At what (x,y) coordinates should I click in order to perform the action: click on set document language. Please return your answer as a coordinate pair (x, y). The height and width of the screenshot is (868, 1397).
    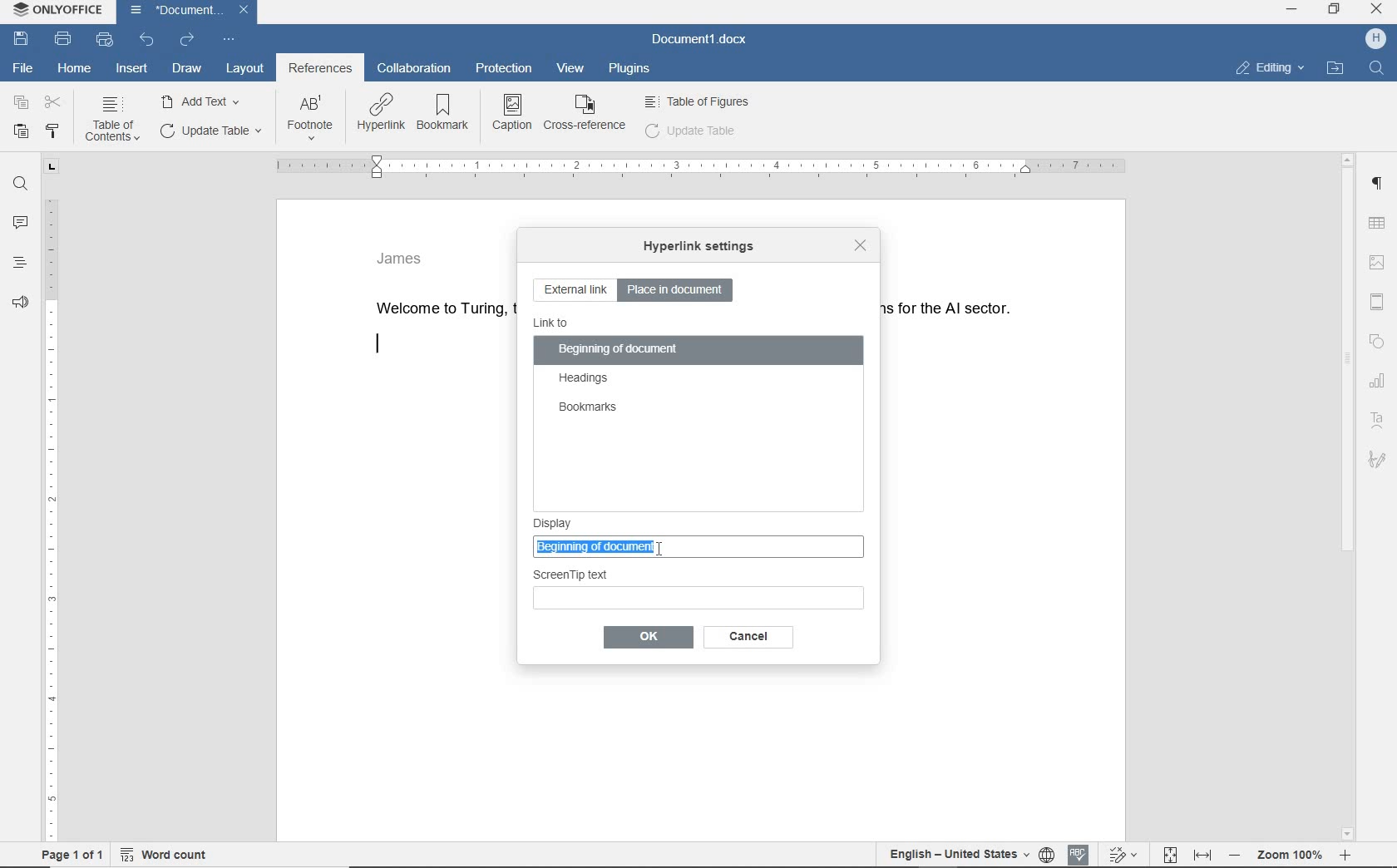
    Looking at the image, I should click on (1047, 856).